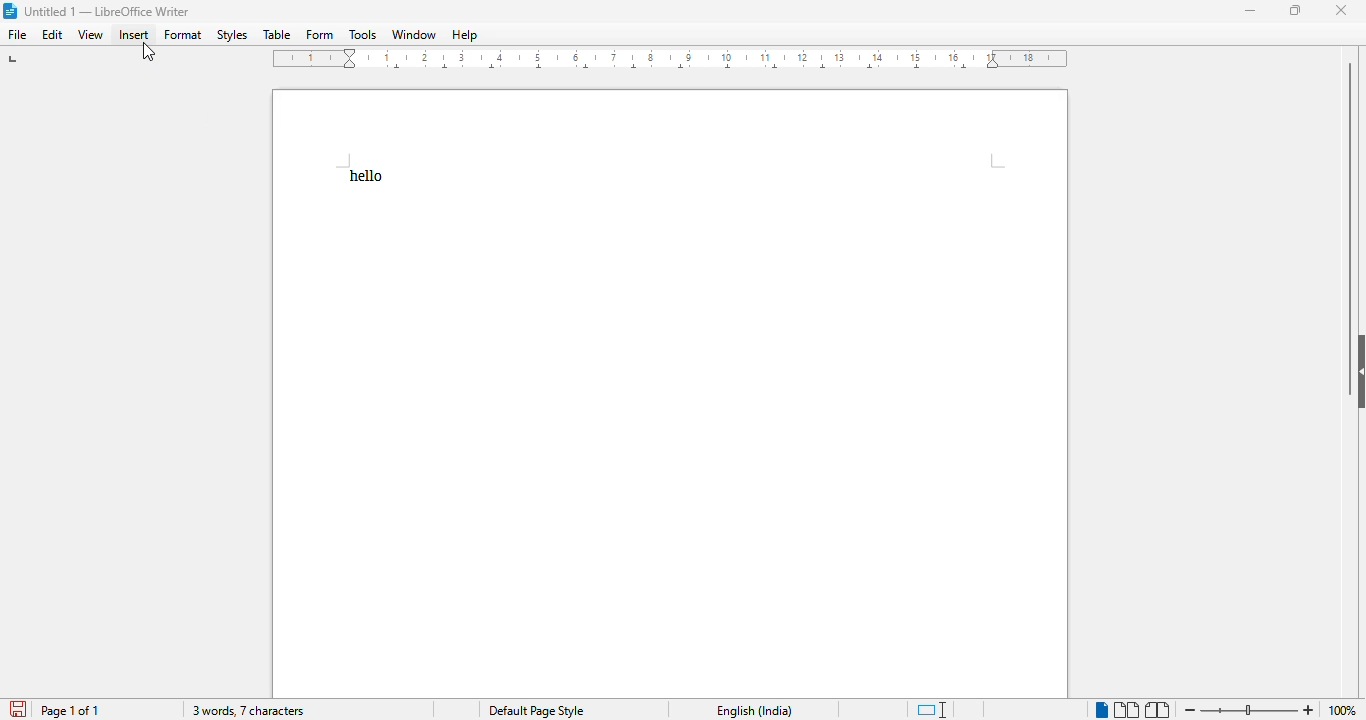  What do you see at coordinates (70, 711) in the screenshot?
I see `page 1 of 1` at bounding box center [70, 711].